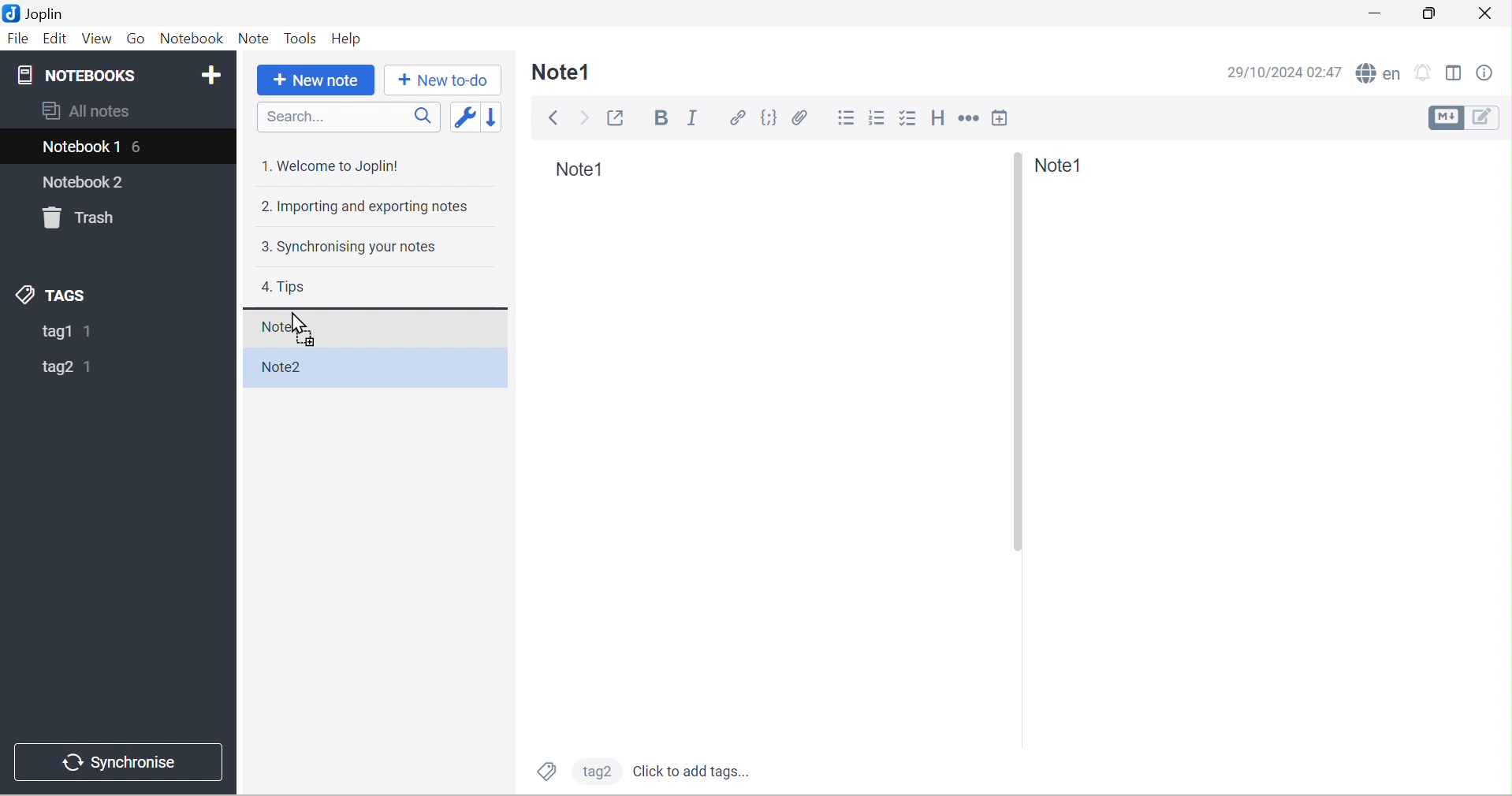 This screenshot has width=1512, height=796. Describe the element at coordinates (54, 296) in the screenshot. I see `TAGS` at that location.